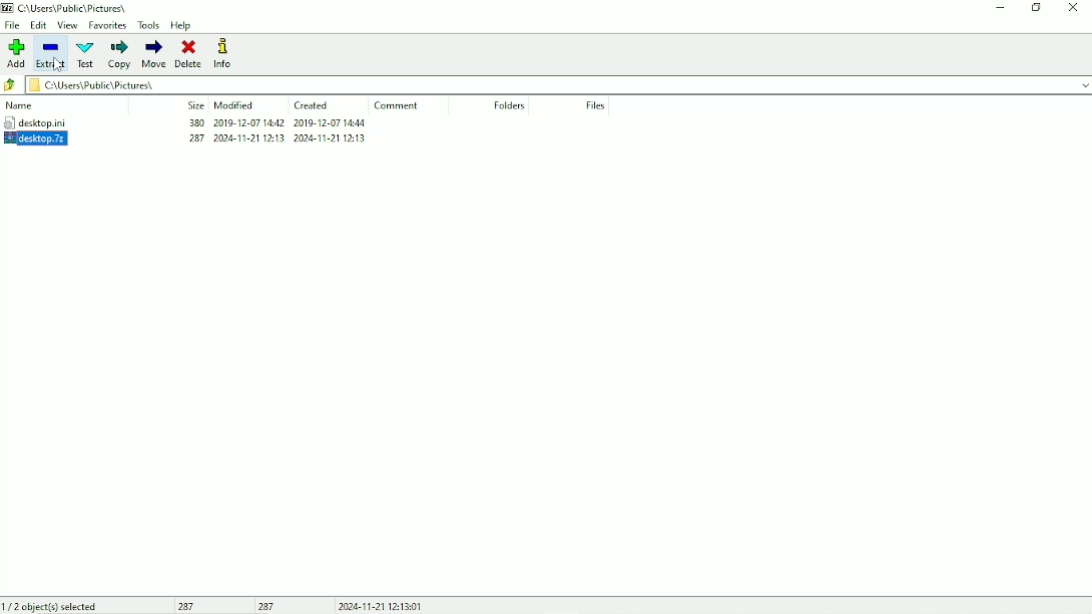  Describe the element at coordinates (275, 124) in the screenshot. I see `380 2019-12-07 1442 2019-12-07 14M` at that location.